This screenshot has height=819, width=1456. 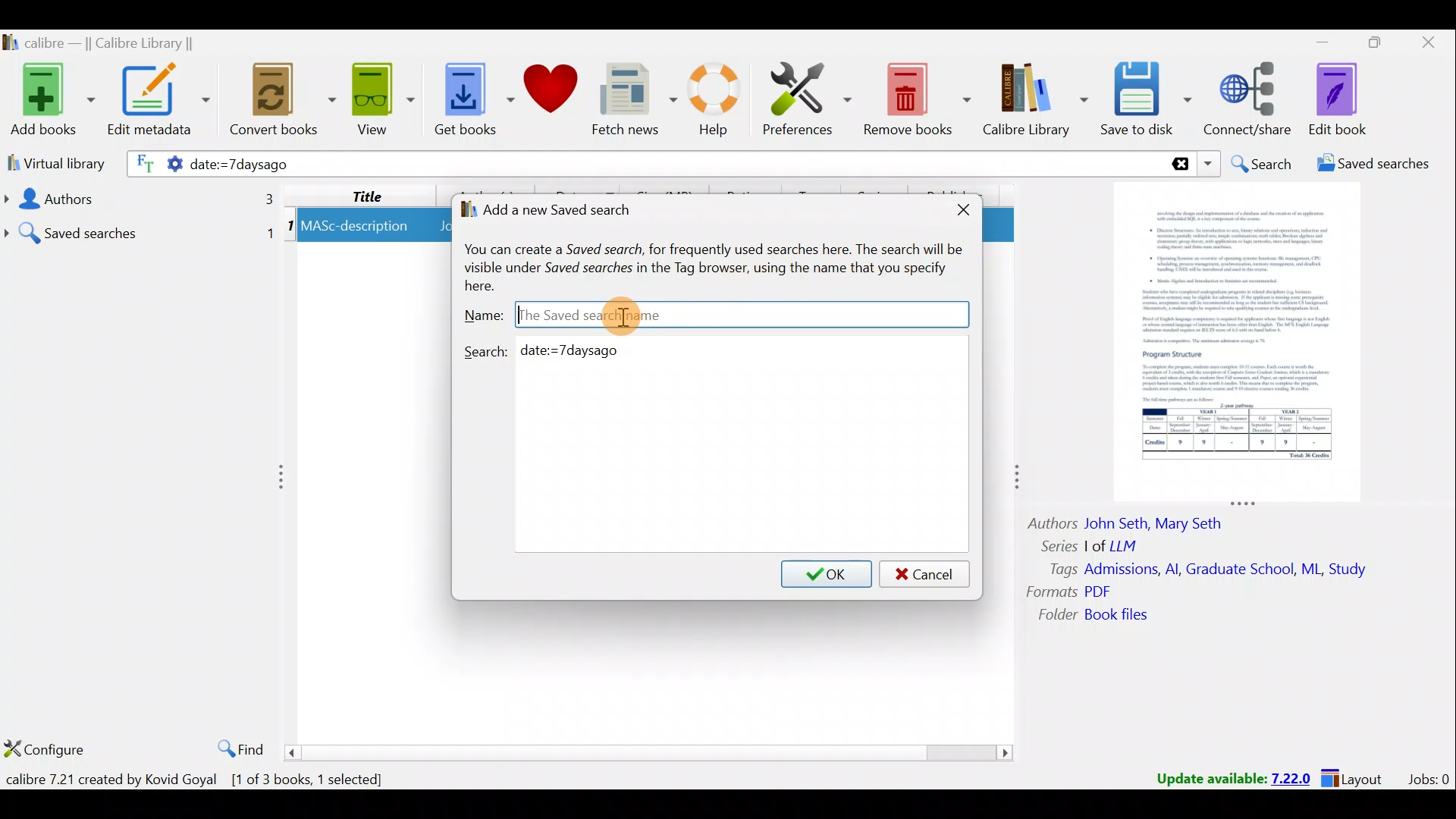 What do you see at coordinates (379, 101) in the screenshot?
I see `View` at bounding box center [379, 101].